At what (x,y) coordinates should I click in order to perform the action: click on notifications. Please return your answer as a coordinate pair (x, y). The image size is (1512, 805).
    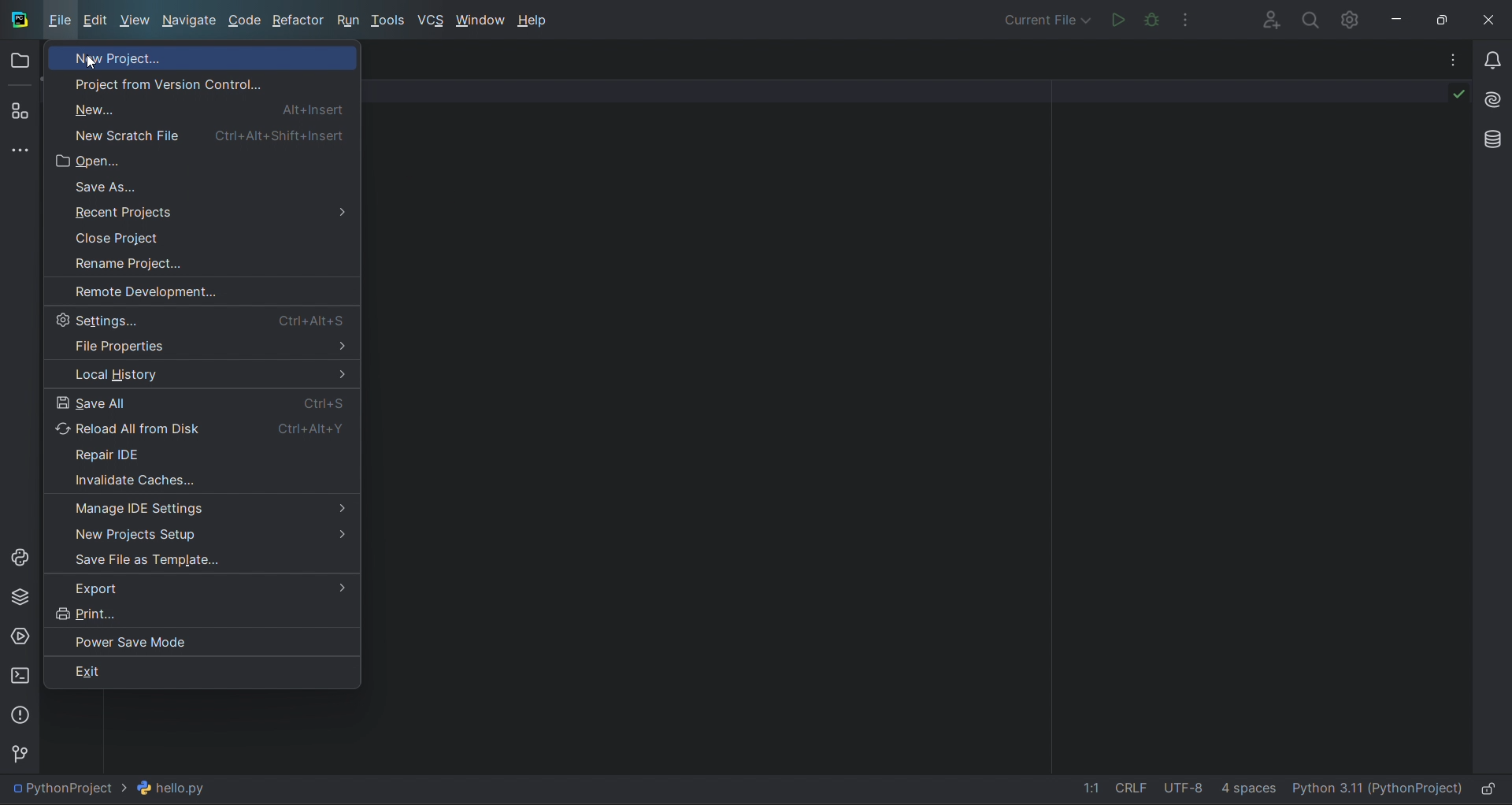
    Looking at the image, I should click on (1489, 54).